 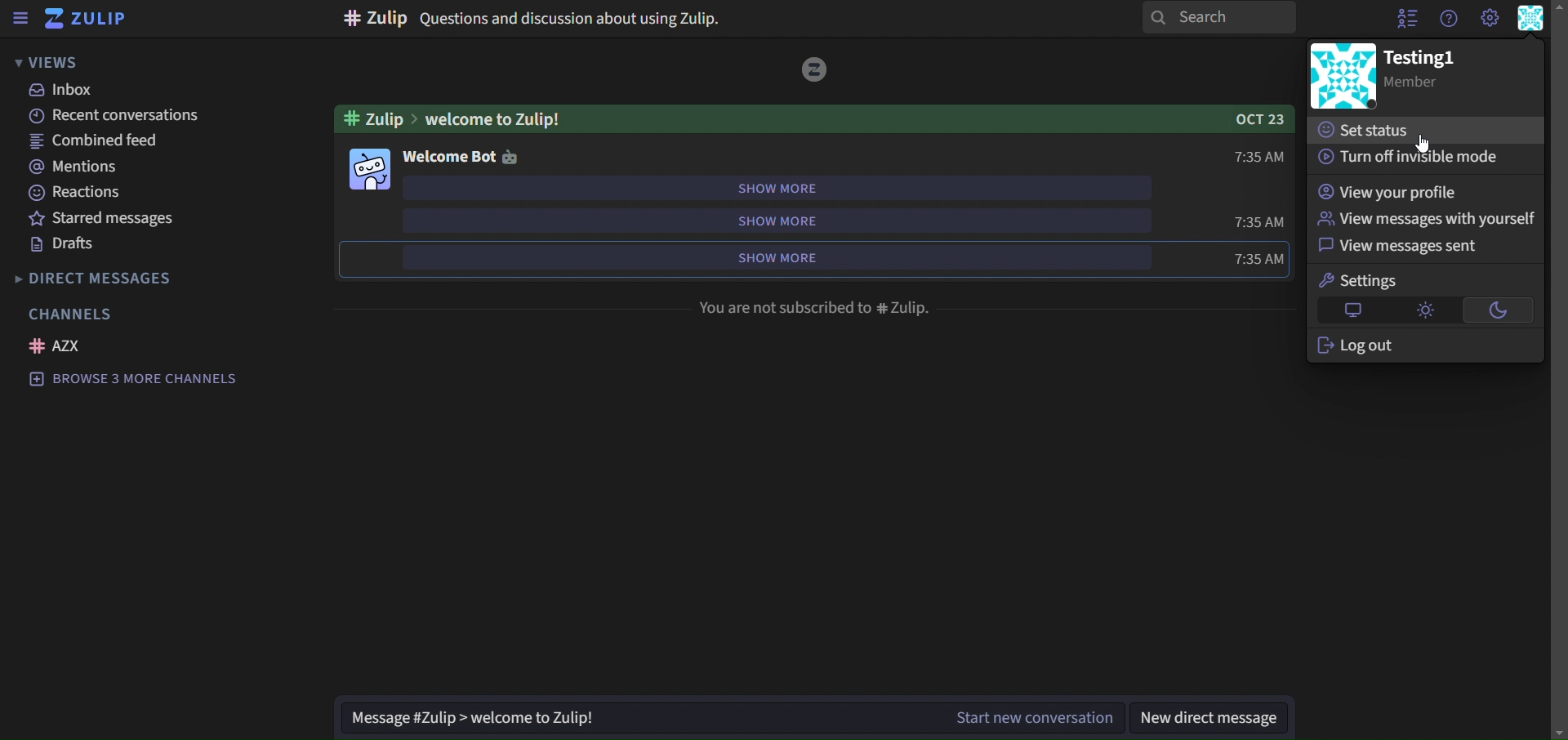 What do you see at coordinates (532, 19) in the screenshot?
I see `Question and discussion about using Zulip.` at bounding box center [532, 19].